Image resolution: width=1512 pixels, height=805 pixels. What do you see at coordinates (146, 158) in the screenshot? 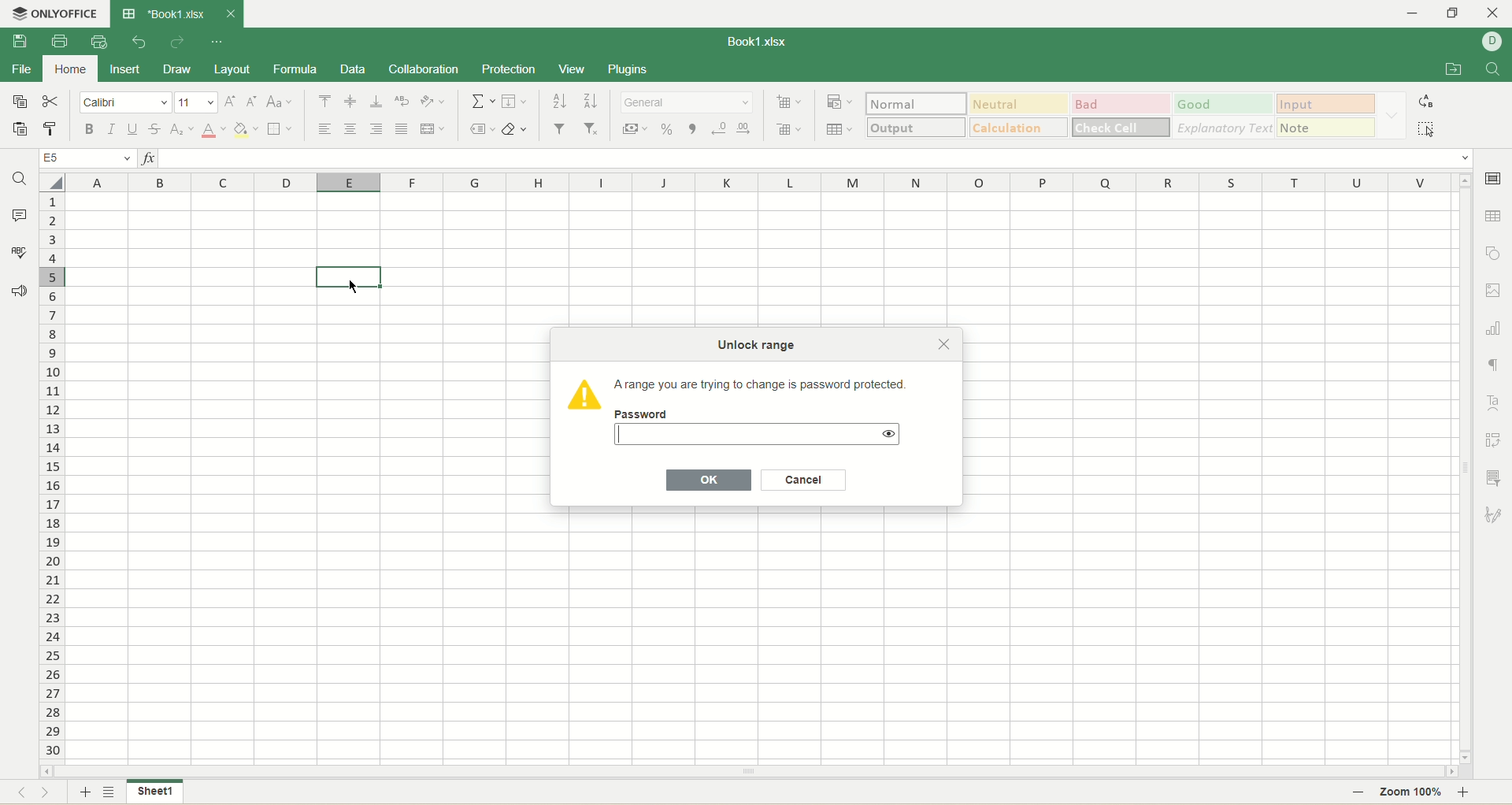
I see `insert function` at bounding box center [146, 158].